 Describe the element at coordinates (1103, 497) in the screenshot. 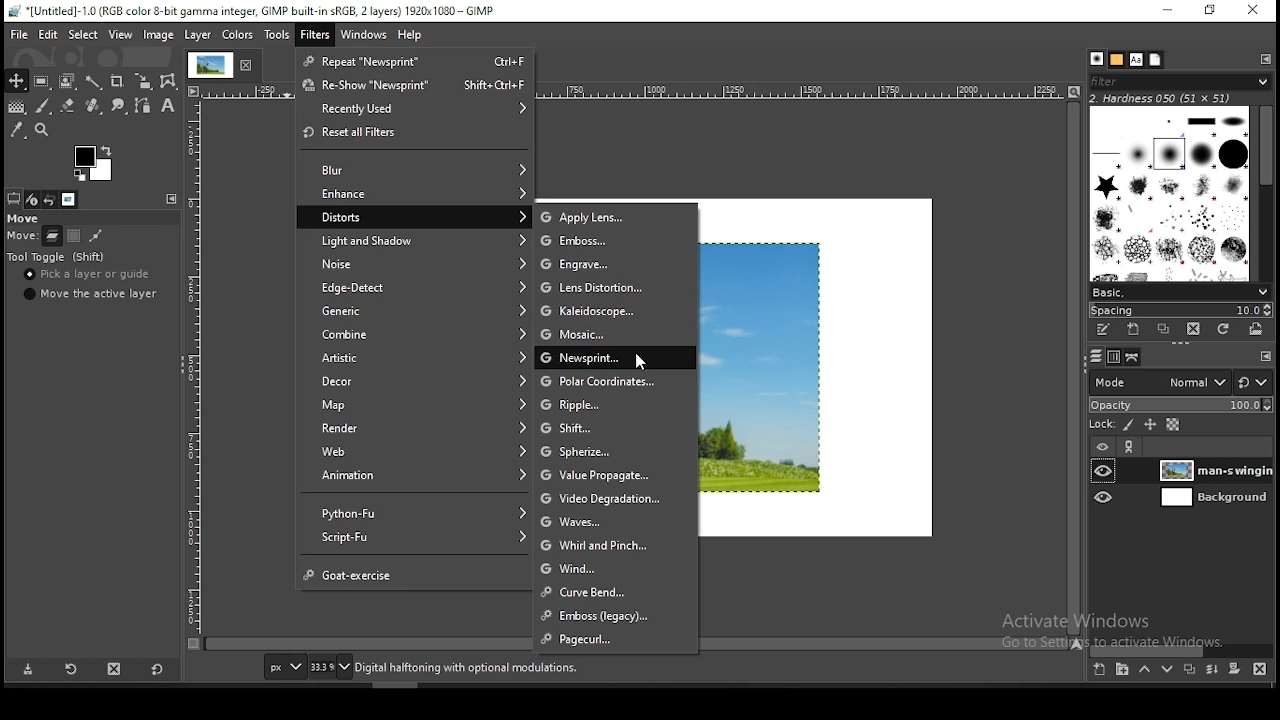

I see `layer visibility on/off` at that location.